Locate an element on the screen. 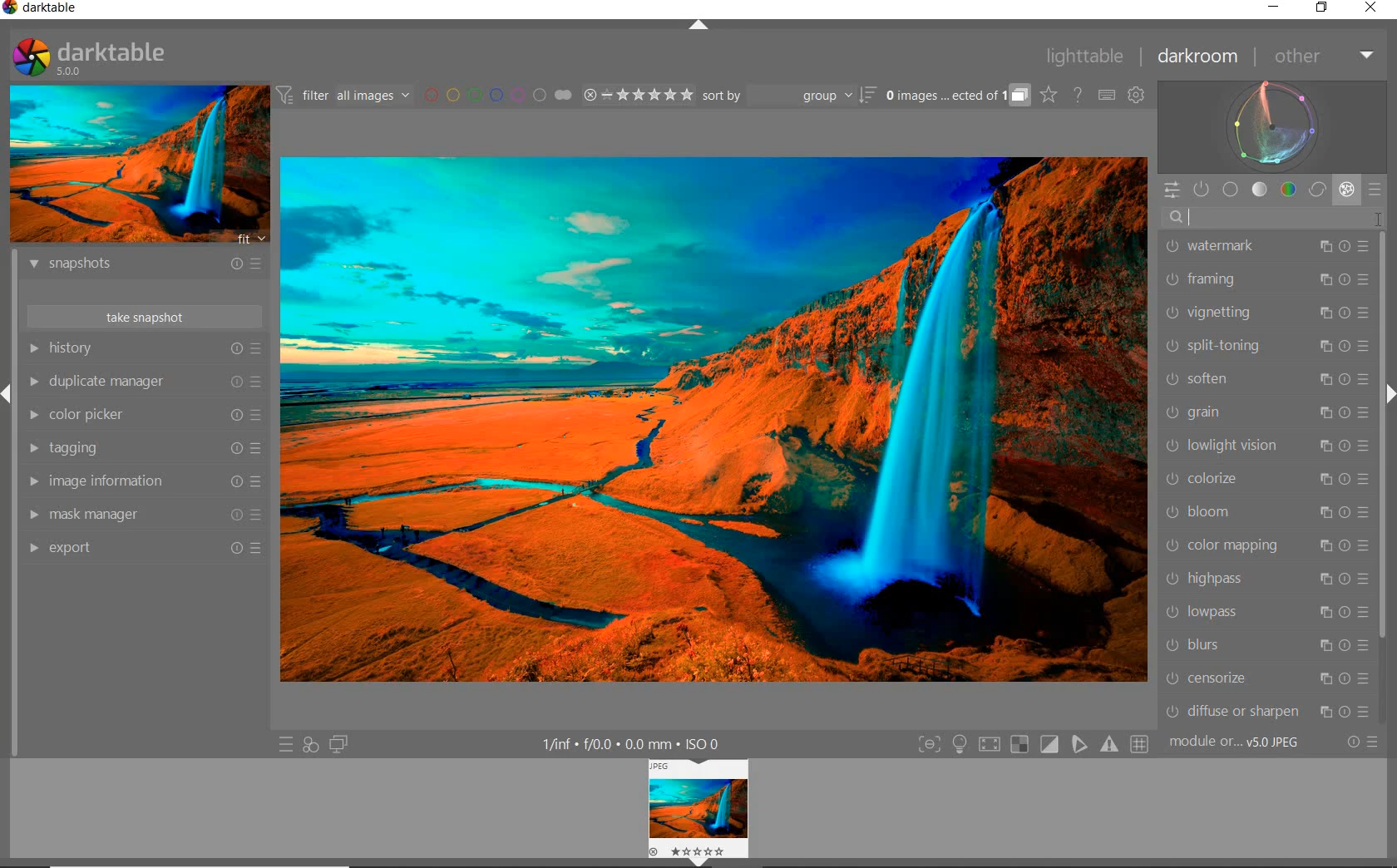 This screenshot has width=1397, height=868. vignetting is located at coordinates (1268, 313).